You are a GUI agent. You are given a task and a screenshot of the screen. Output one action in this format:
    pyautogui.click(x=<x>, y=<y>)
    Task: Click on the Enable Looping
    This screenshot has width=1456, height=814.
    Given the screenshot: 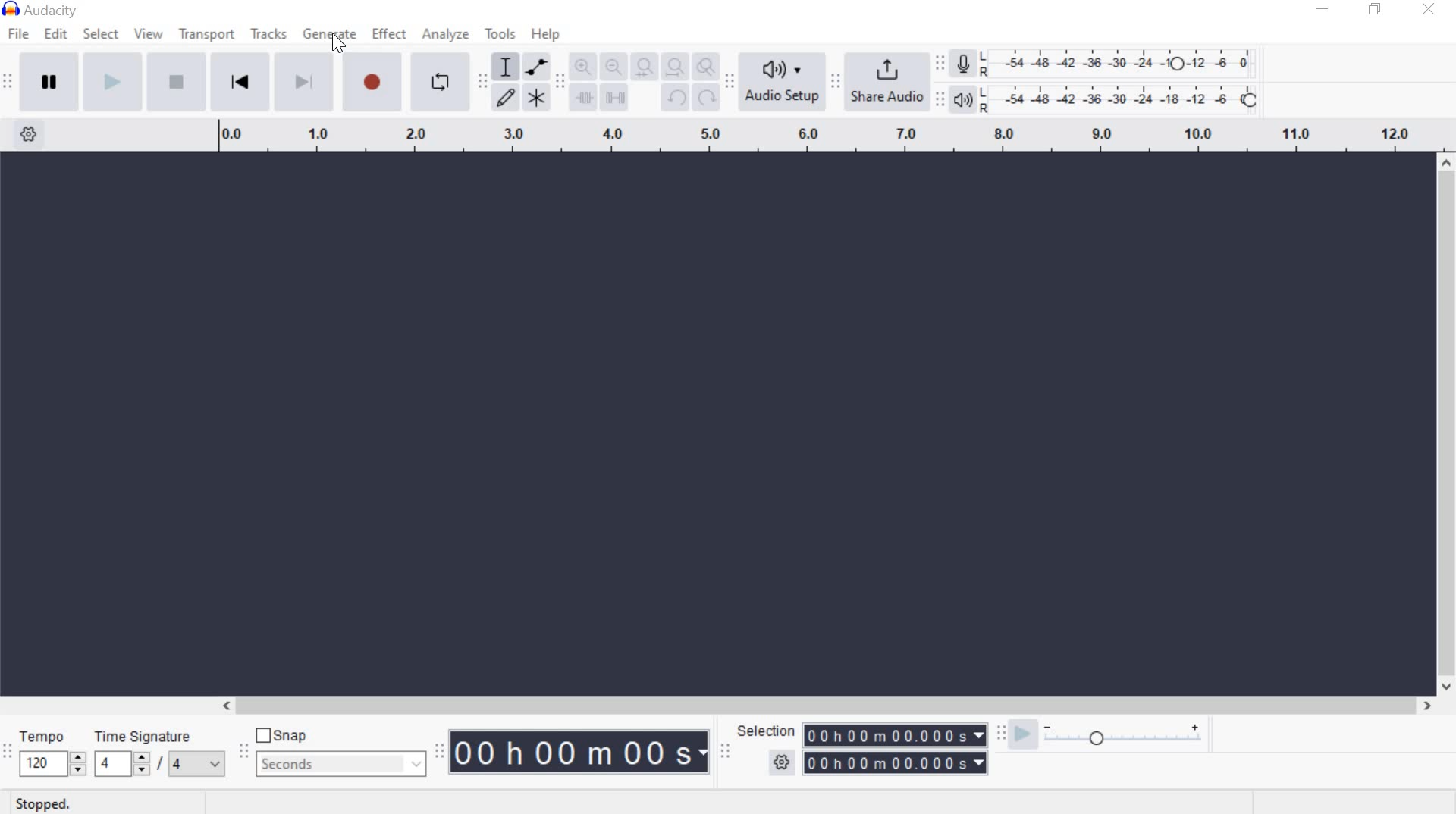 What is the action you would take?
    pyautogui.click(x=441, y=81)
    